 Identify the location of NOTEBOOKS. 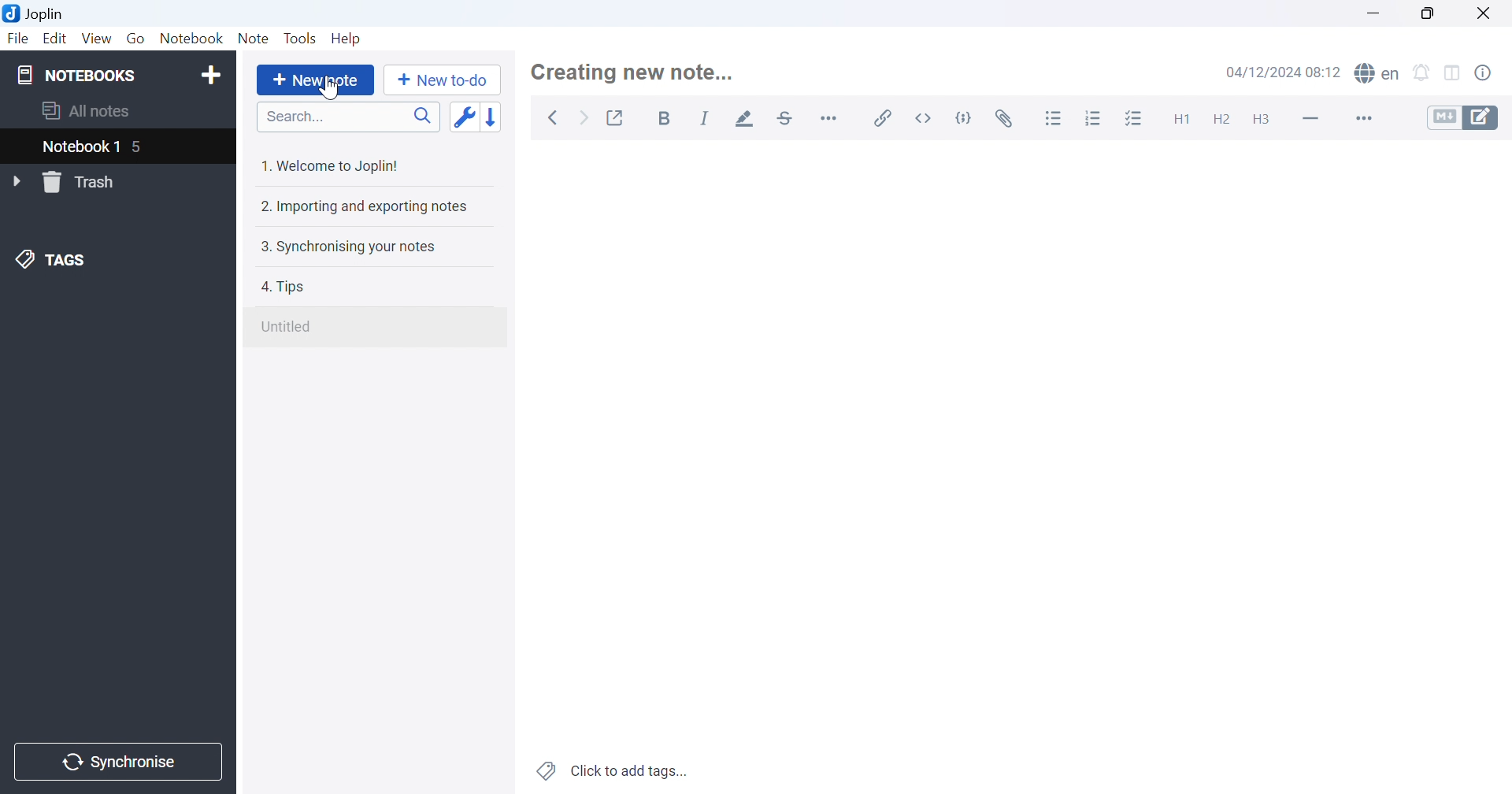
(80, 76).